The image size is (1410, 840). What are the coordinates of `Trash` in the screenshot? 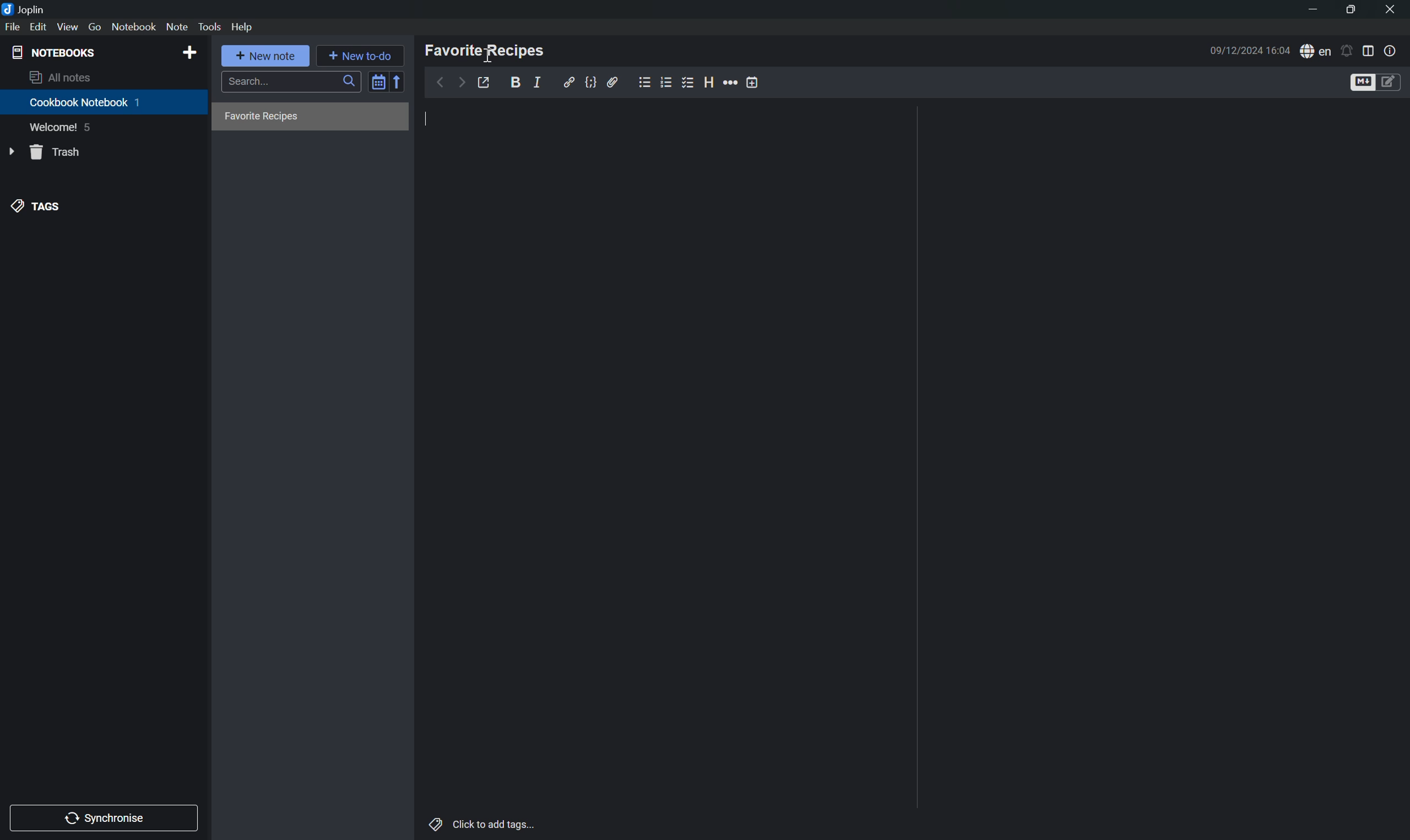 It's located at (58, 151).